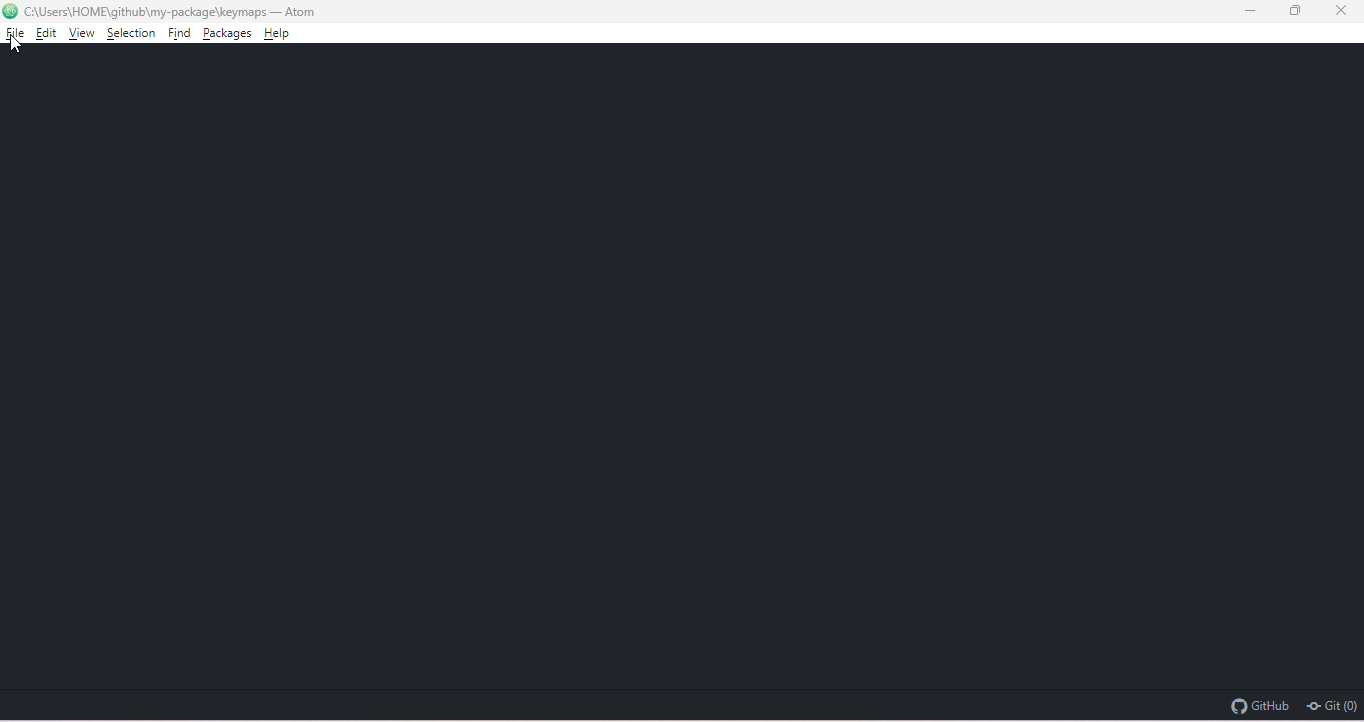  What do you see at coordinates (9, 12) in the screenshot?
I see `atom logo` at bounding box center [9, 12].